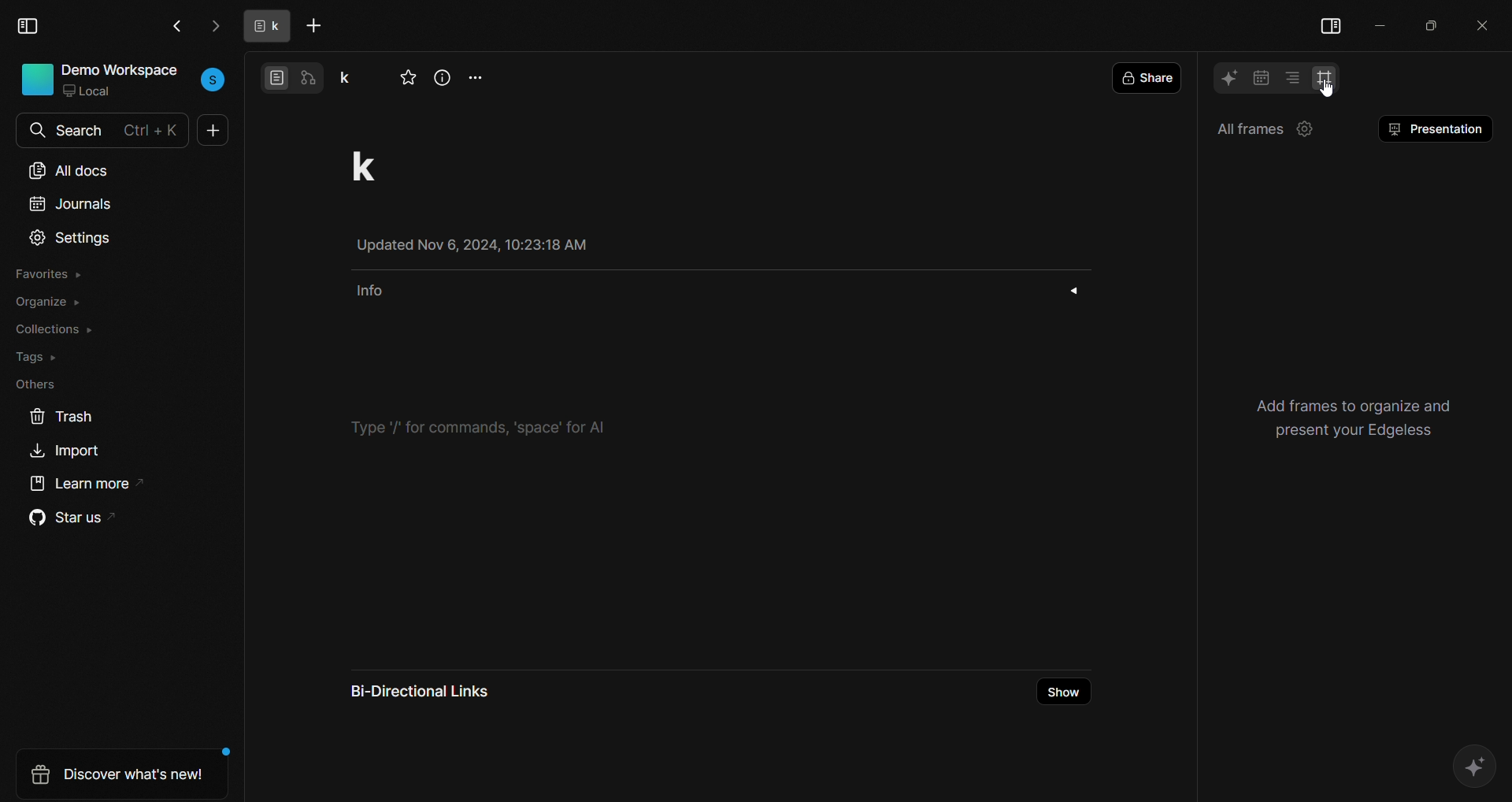  I want to click on search, so click(35, 131).